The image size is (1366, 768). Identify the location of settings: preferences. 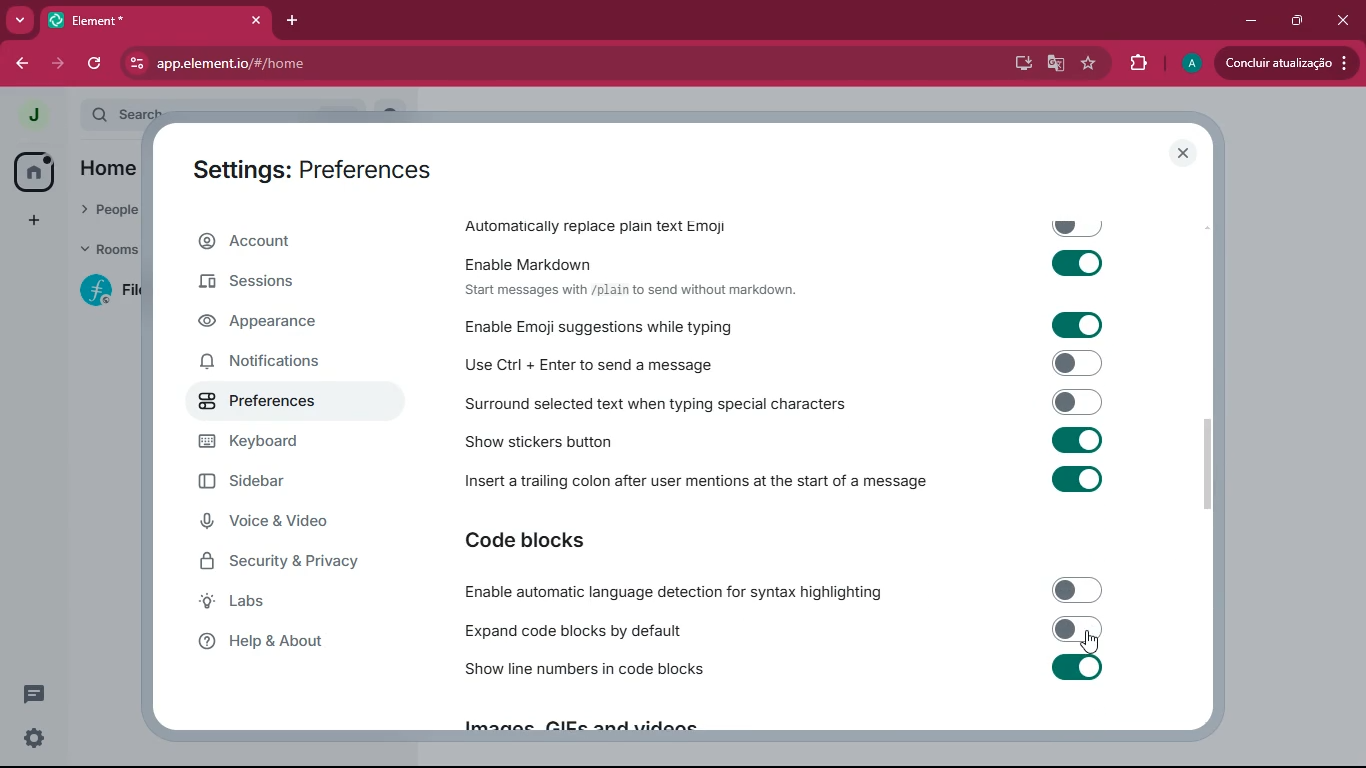
(313, 167).